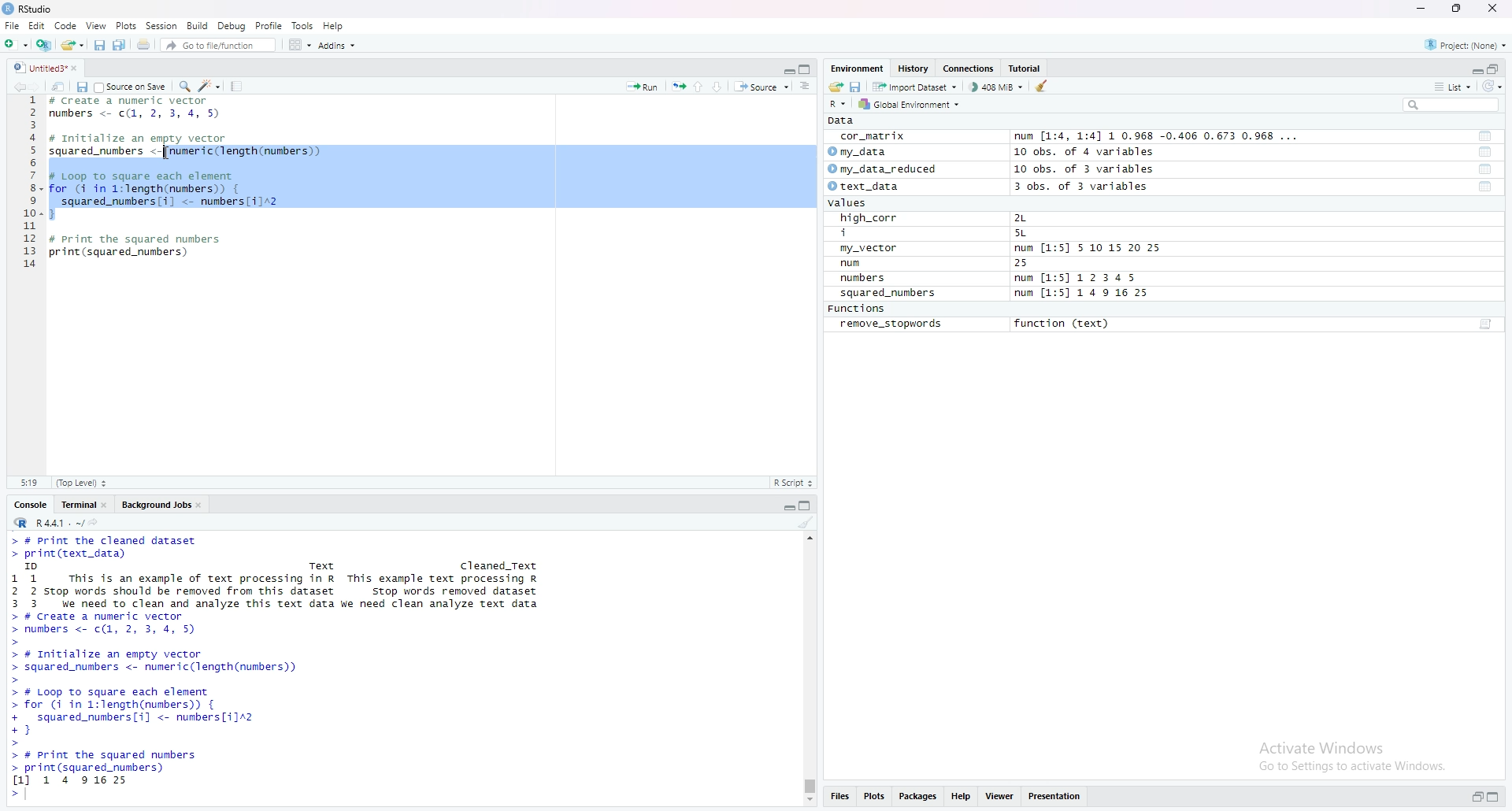 The height and width of the screenshot is (811, 1512). What do you see at coordinates (155, 503) in the screenshot?
I see `Background Jobs` at bounding box center [155, 503].